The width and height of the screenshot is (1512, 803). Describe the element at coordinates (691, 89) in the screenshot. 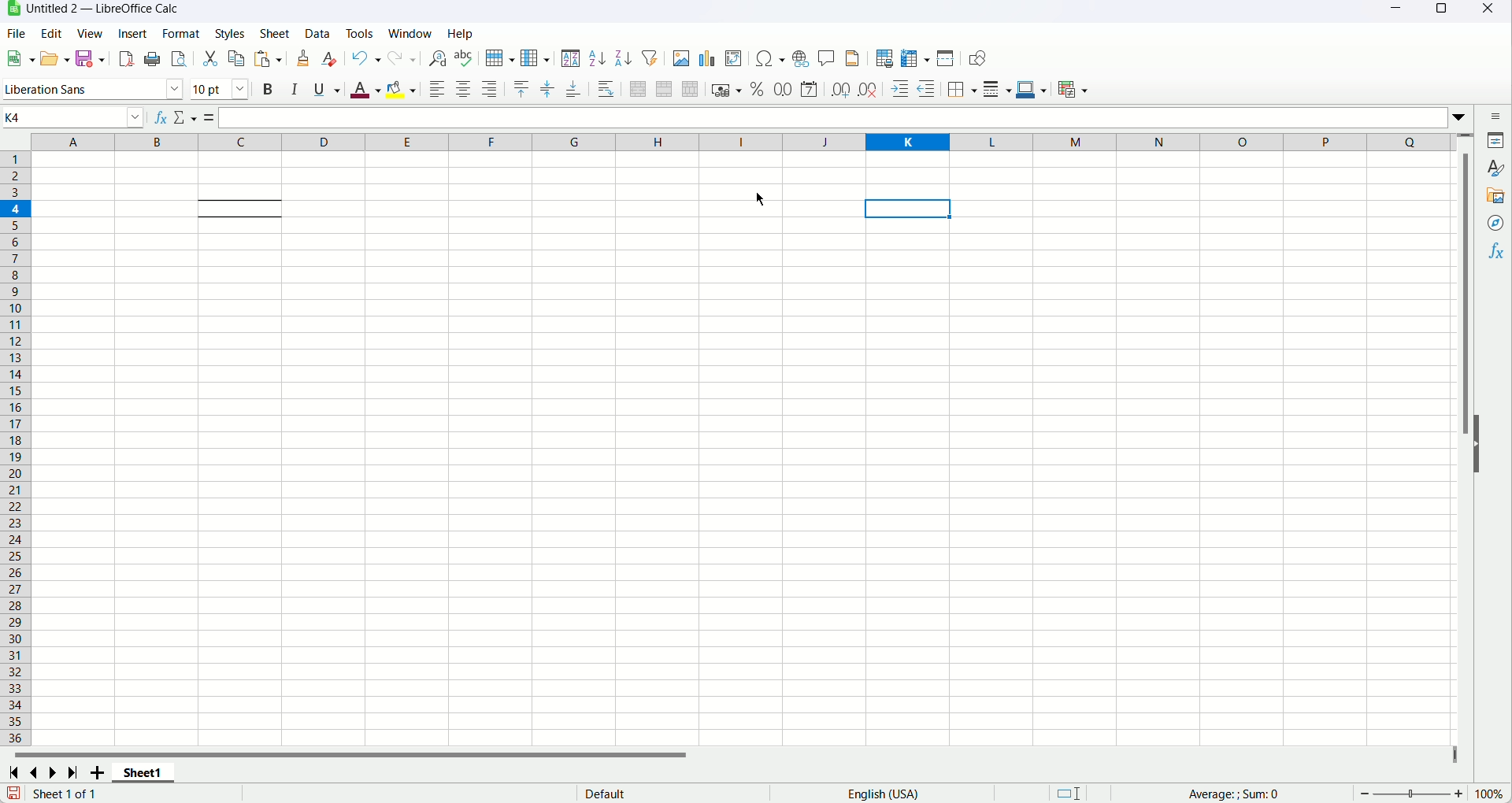

I see `Unmerge cells` at that location.